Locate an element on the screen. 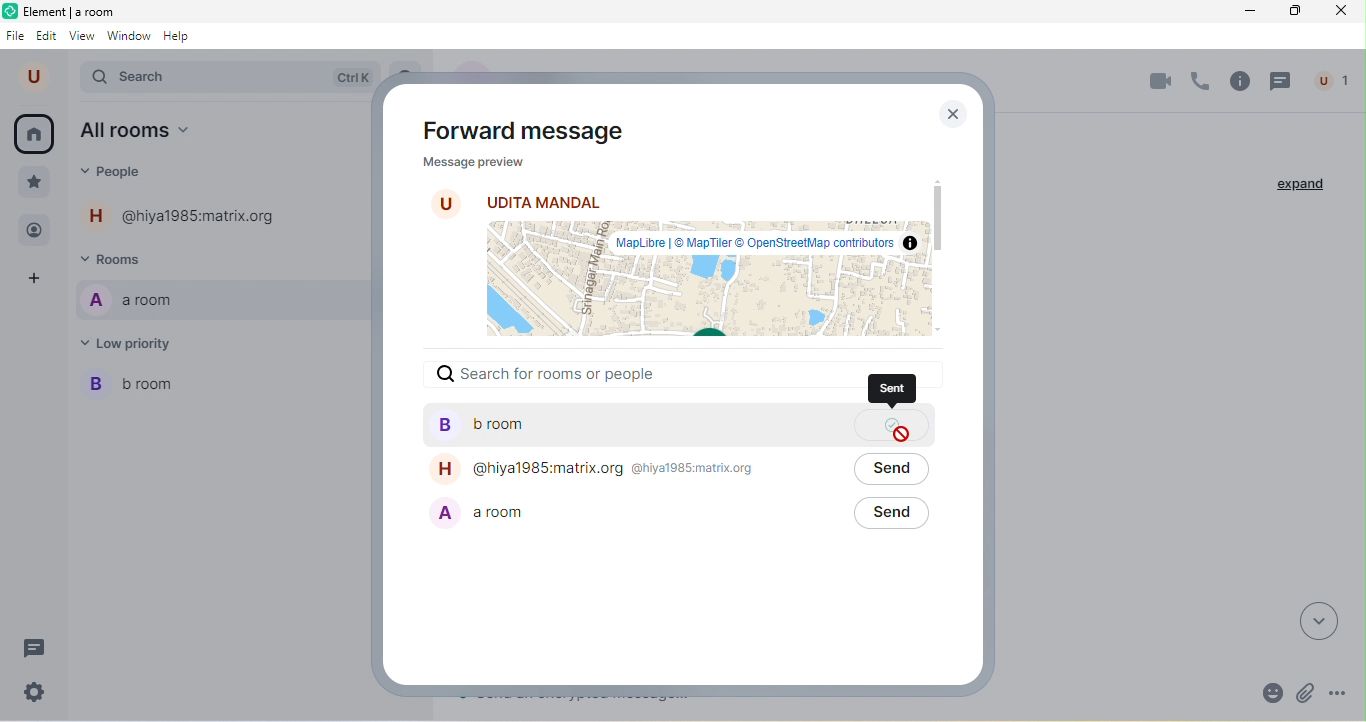 This screenshot has width=1366, height=722. send is located at coordinates (891, 470).